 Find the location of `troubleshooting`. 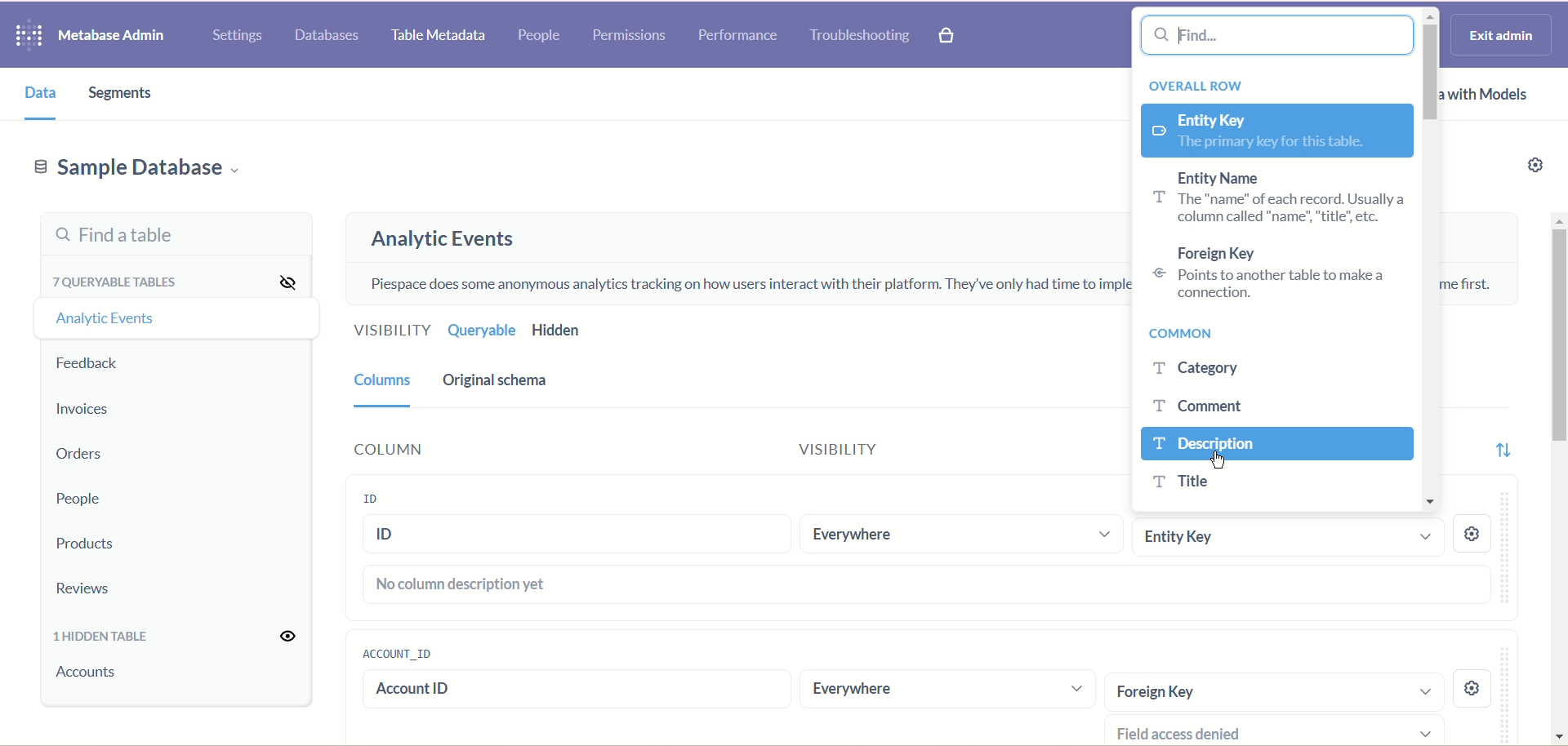

troubleshooting is located at coordinates (860, 35).